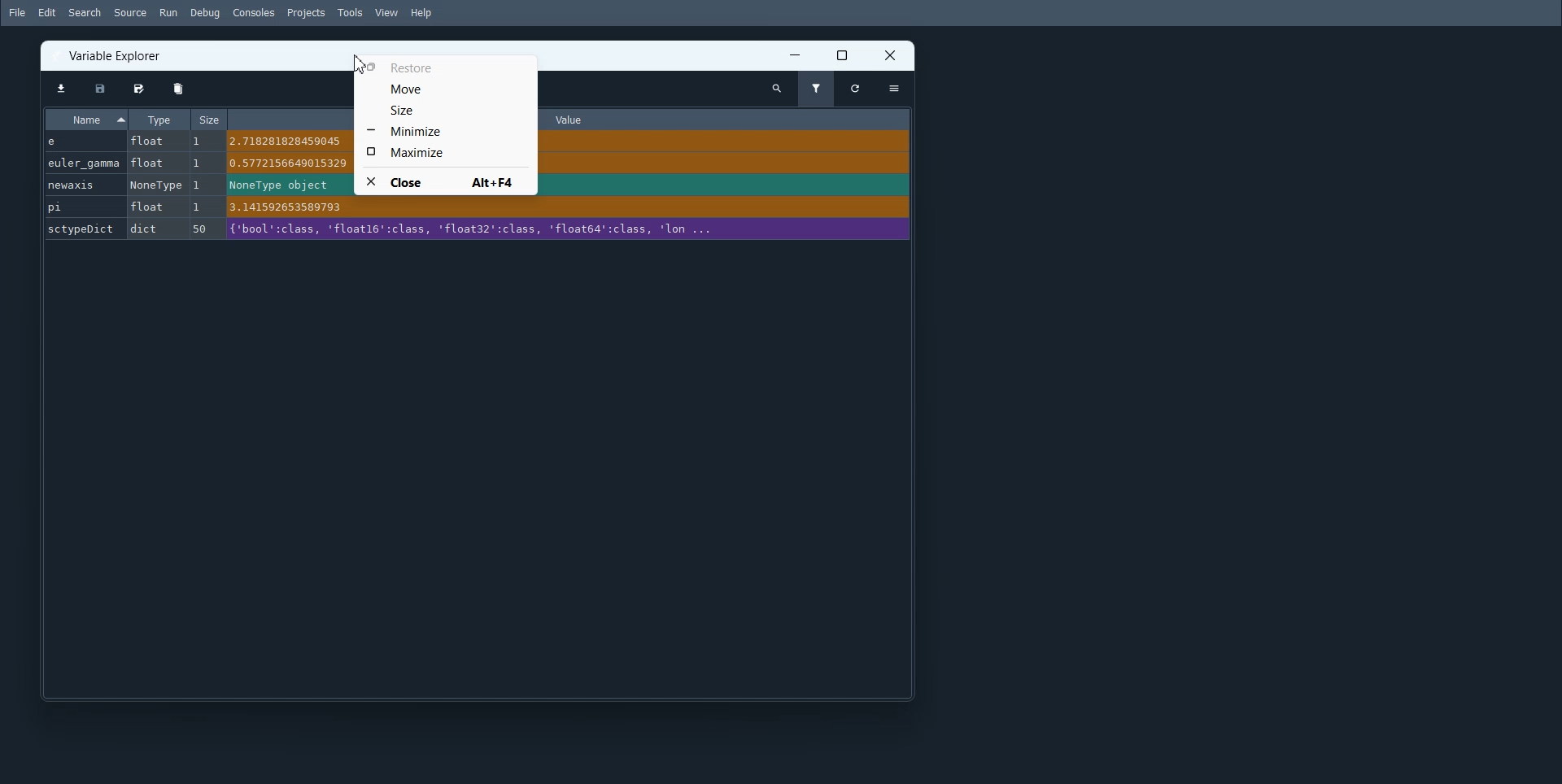 This screenshot has height=784, width=1562. What do you see at coordinates (159, 120) in the screenshot?
I see `Type` at bounding box center [159, 120].